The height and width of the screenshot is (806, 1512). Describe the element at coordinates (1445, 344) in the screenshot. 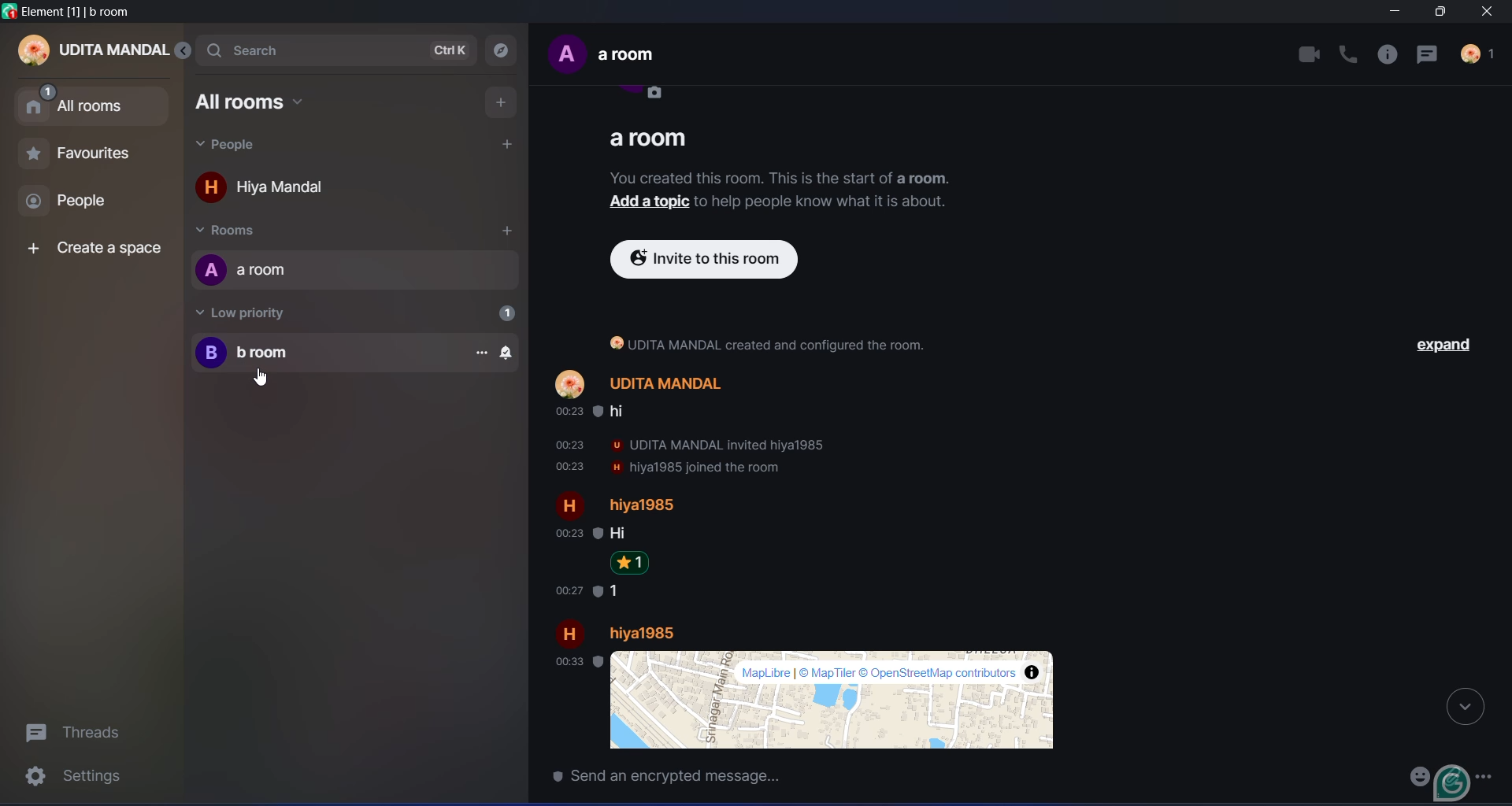

I see `expand` at that location.